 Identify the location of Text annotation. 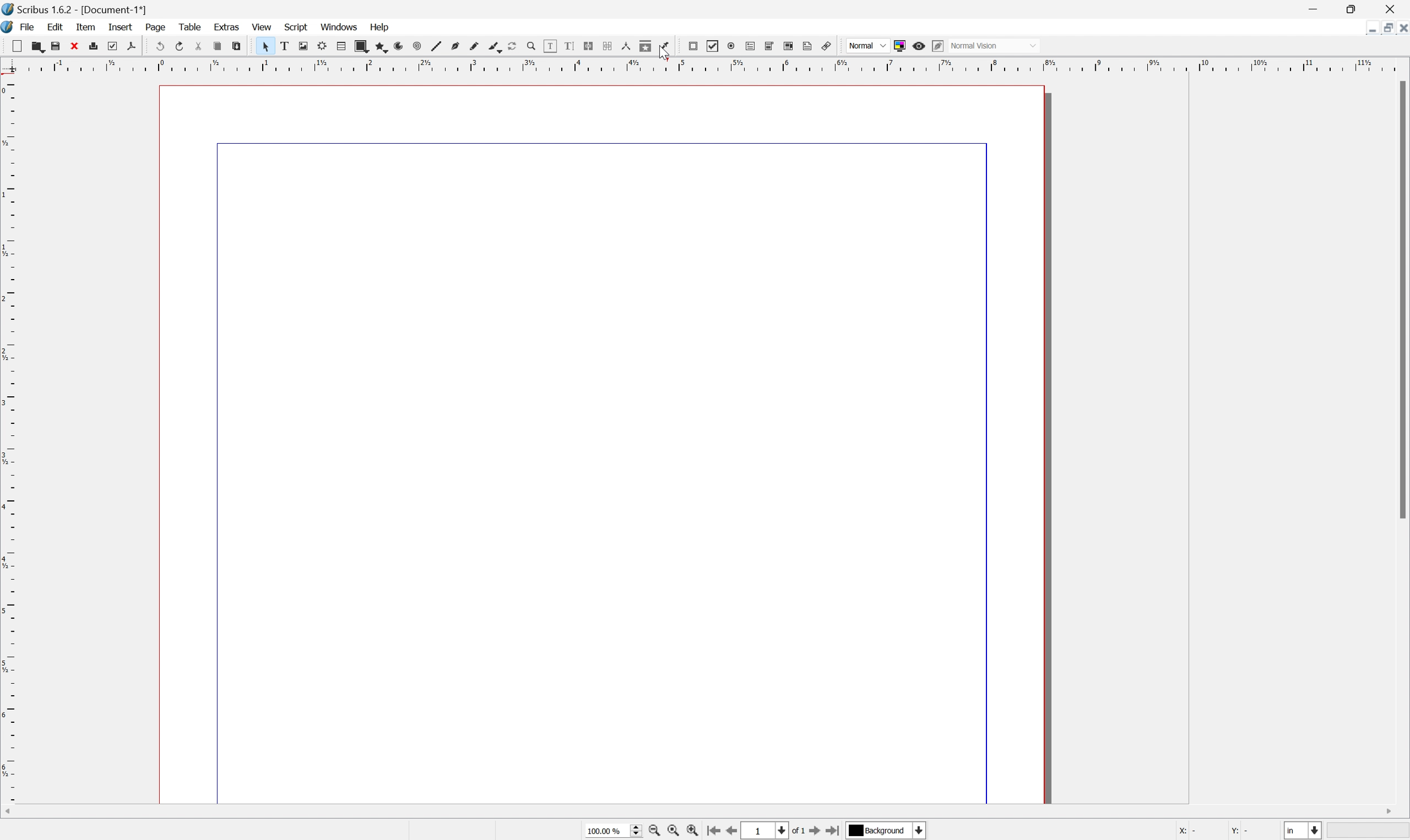
(807, 45).